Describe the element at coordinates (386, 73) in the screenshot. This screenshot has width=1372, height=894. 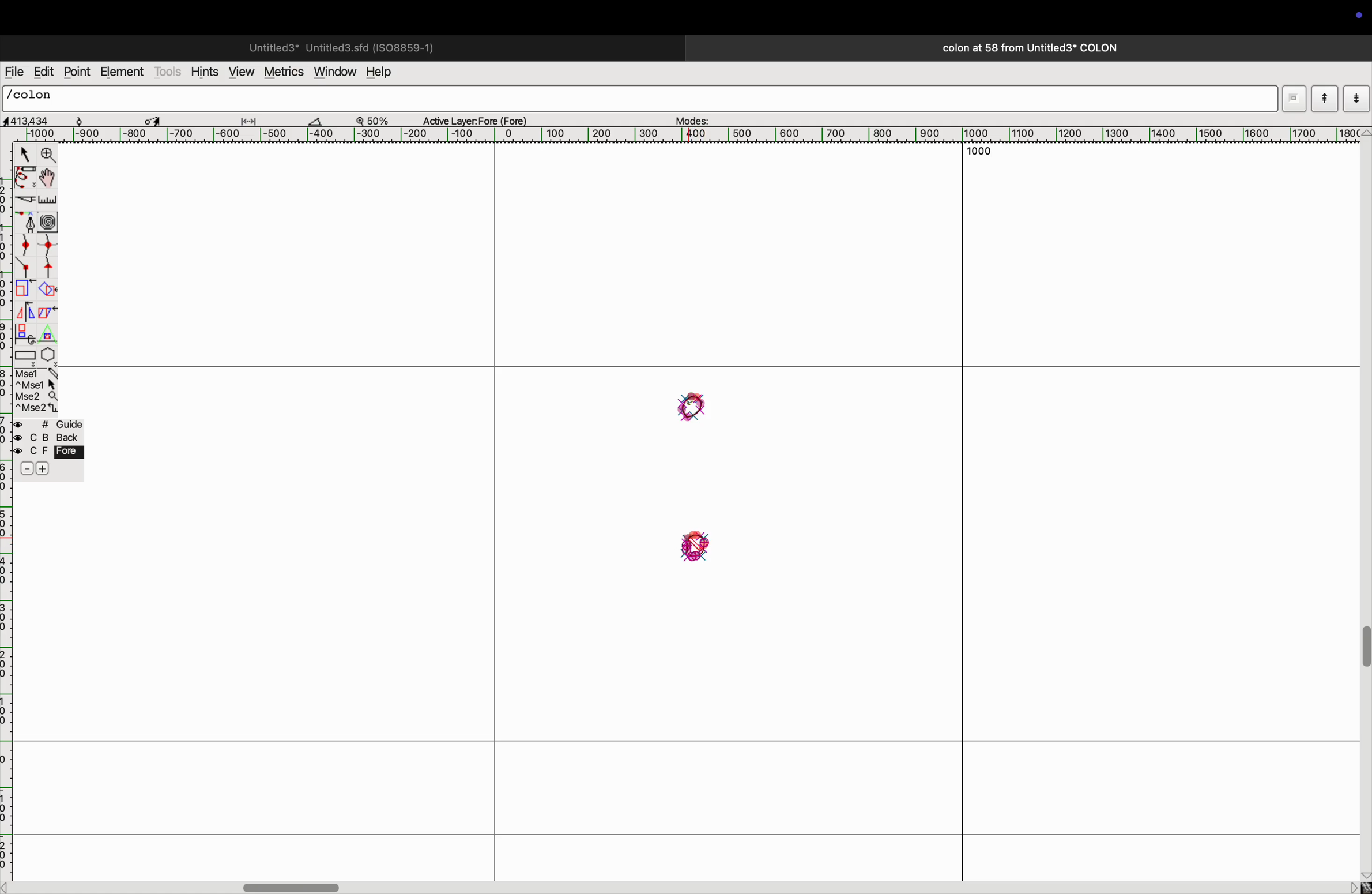
I see `hwlp` at that location.